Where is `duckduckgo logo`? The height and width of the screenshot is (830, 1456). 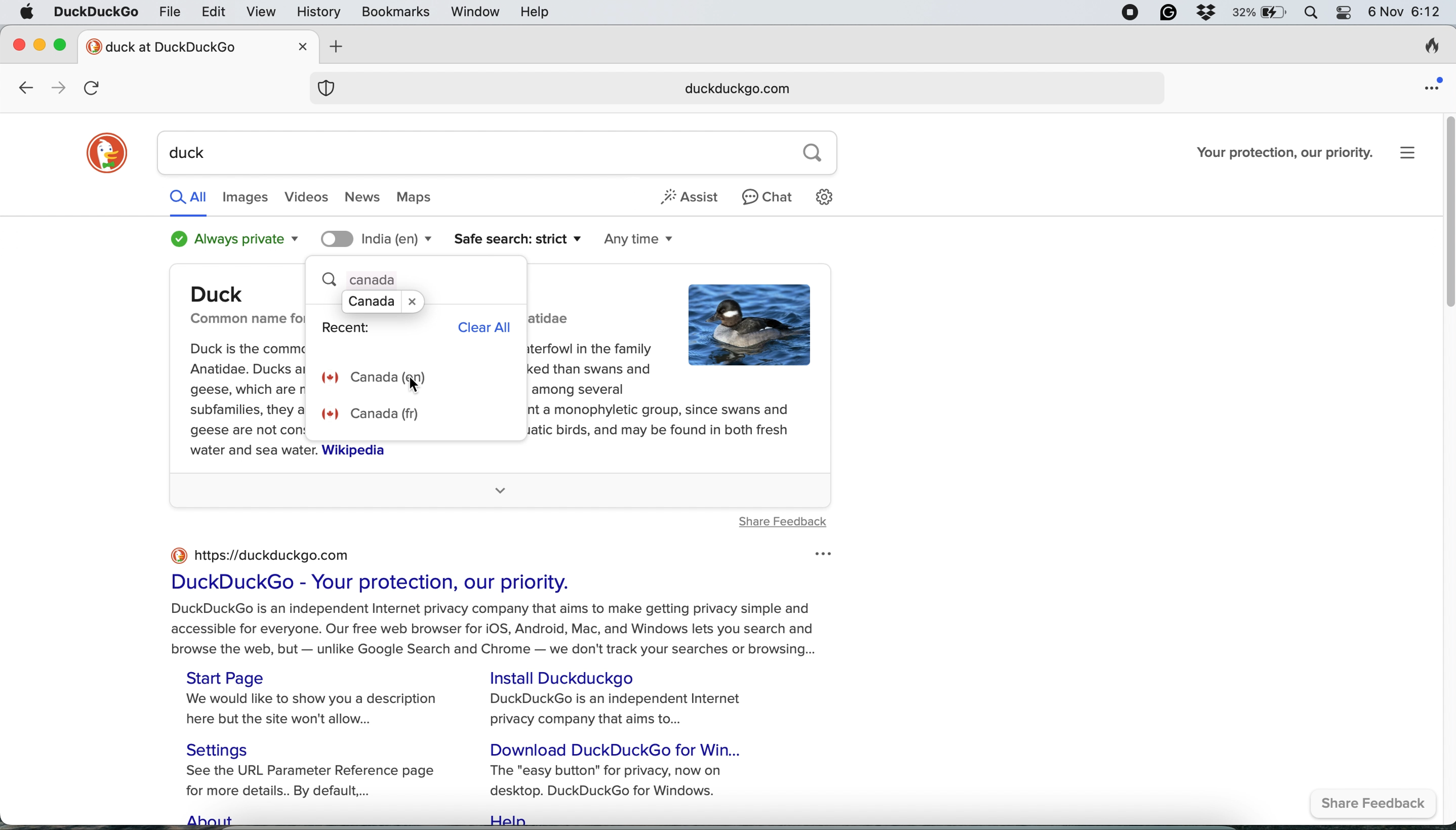
duckduckgo logo is located at coordinates (107, 154).